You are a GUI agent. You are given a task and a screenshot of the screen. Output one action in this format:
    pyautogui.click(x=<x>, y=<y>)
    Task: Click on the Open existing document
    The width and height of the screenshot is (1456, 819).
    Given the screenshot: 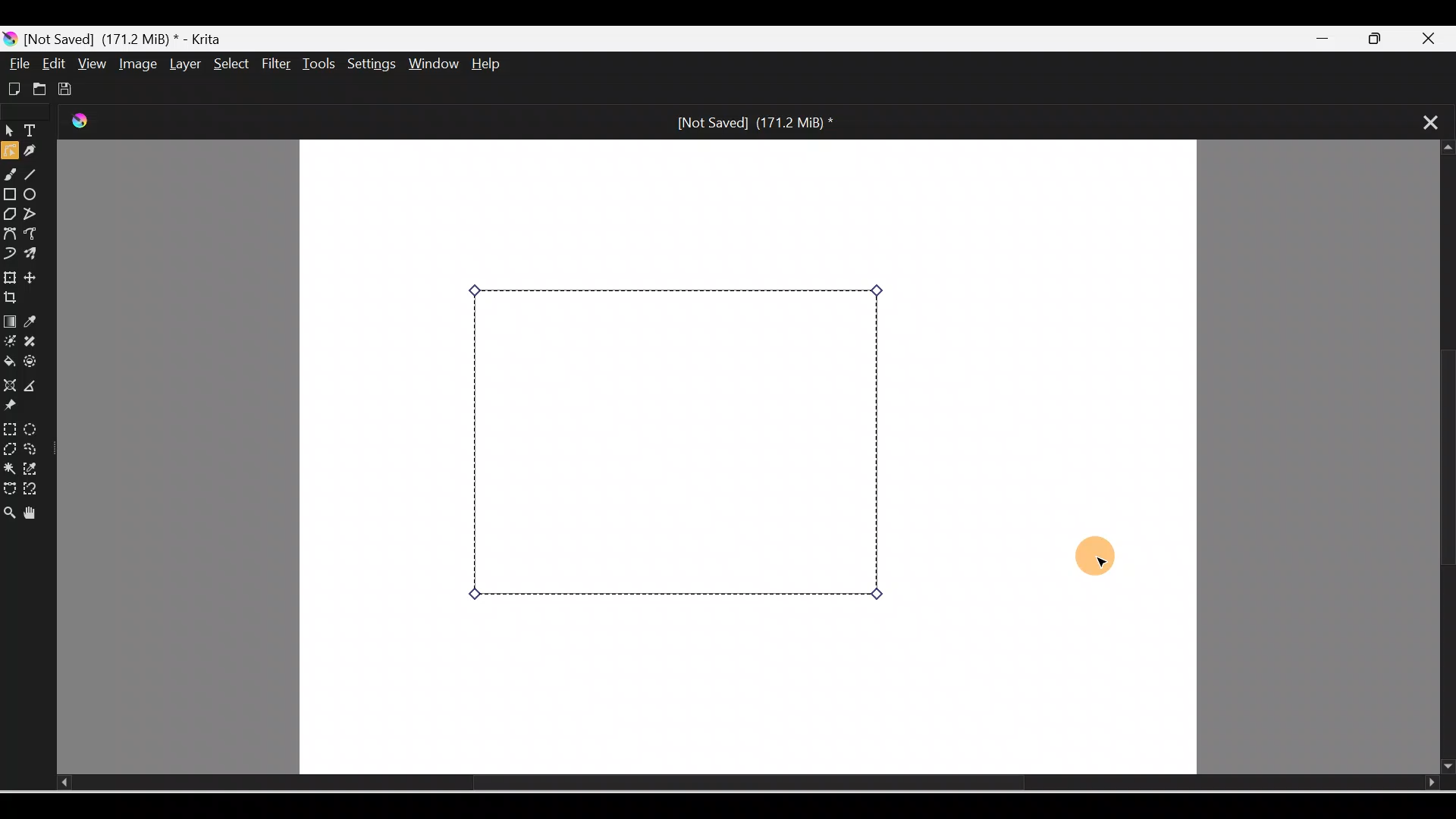 What is the action you would take?
    pyautogui.click(x=37, y=89)
    